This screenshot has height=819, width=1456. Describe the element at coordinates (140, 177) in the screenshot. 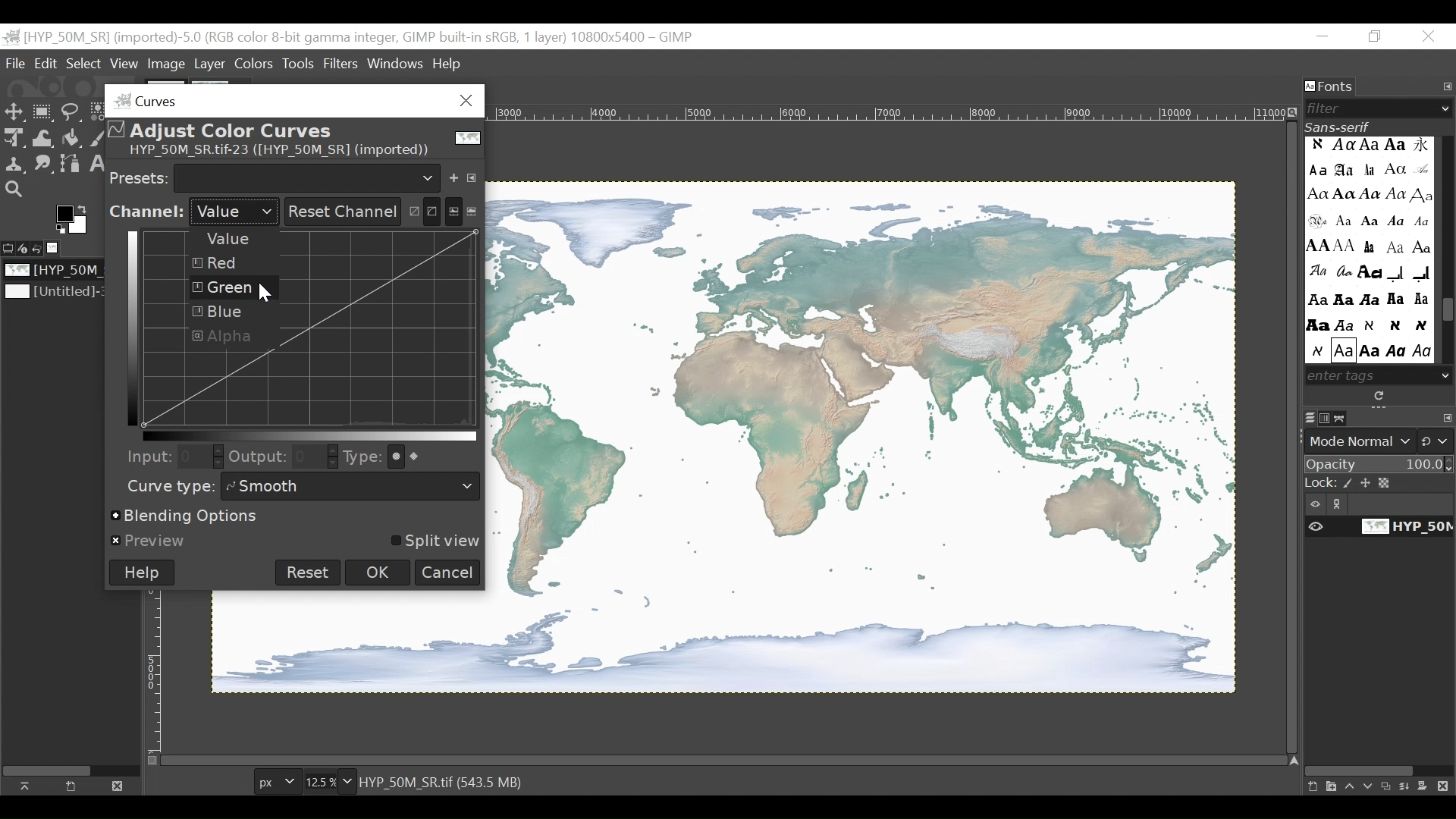

I see `Presets` at that location.